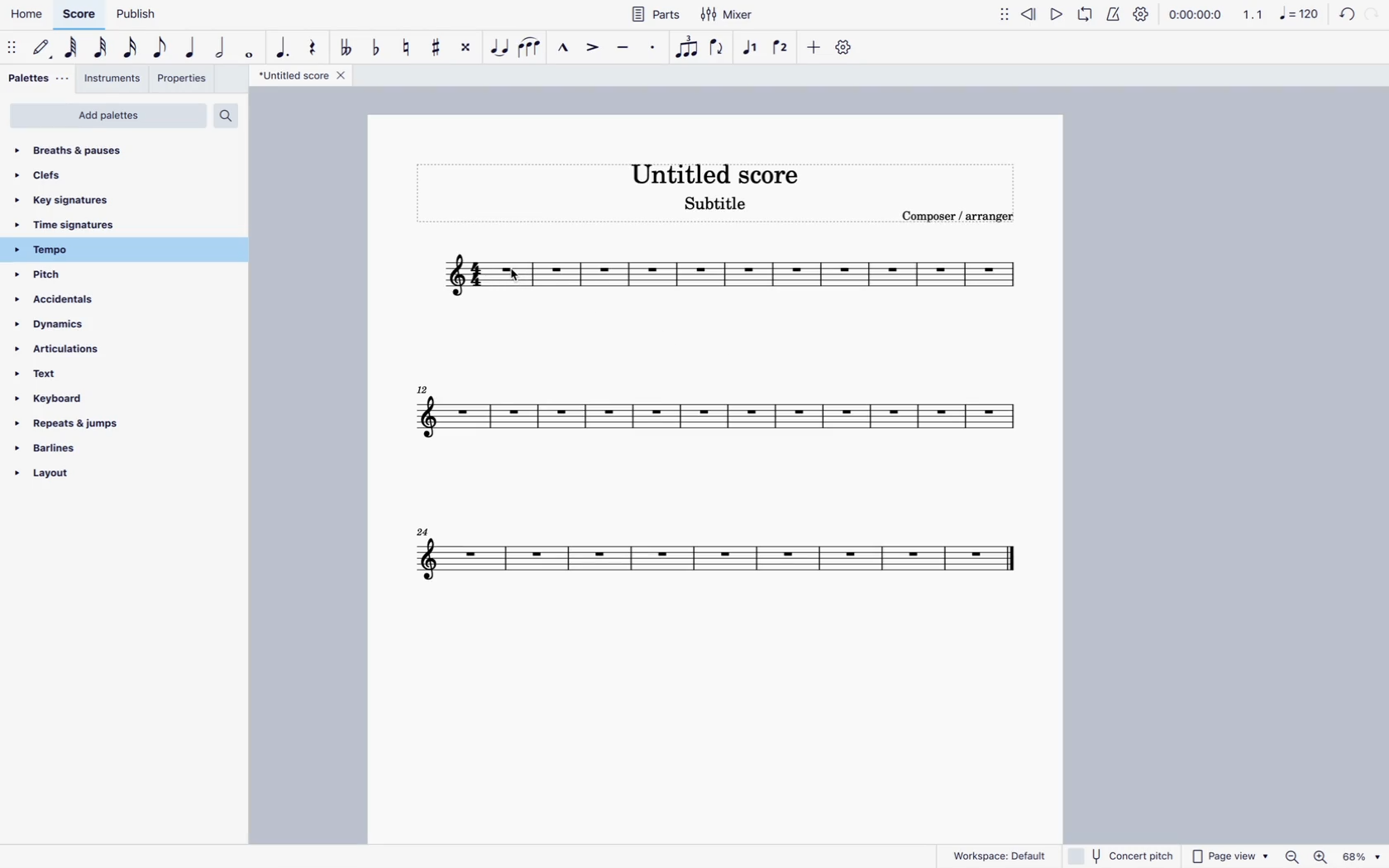 The height and width of the screenshot is (868, 1389). Describe the element at coordinates (98, 250) in the screenshot. I see `tempo` at that location.